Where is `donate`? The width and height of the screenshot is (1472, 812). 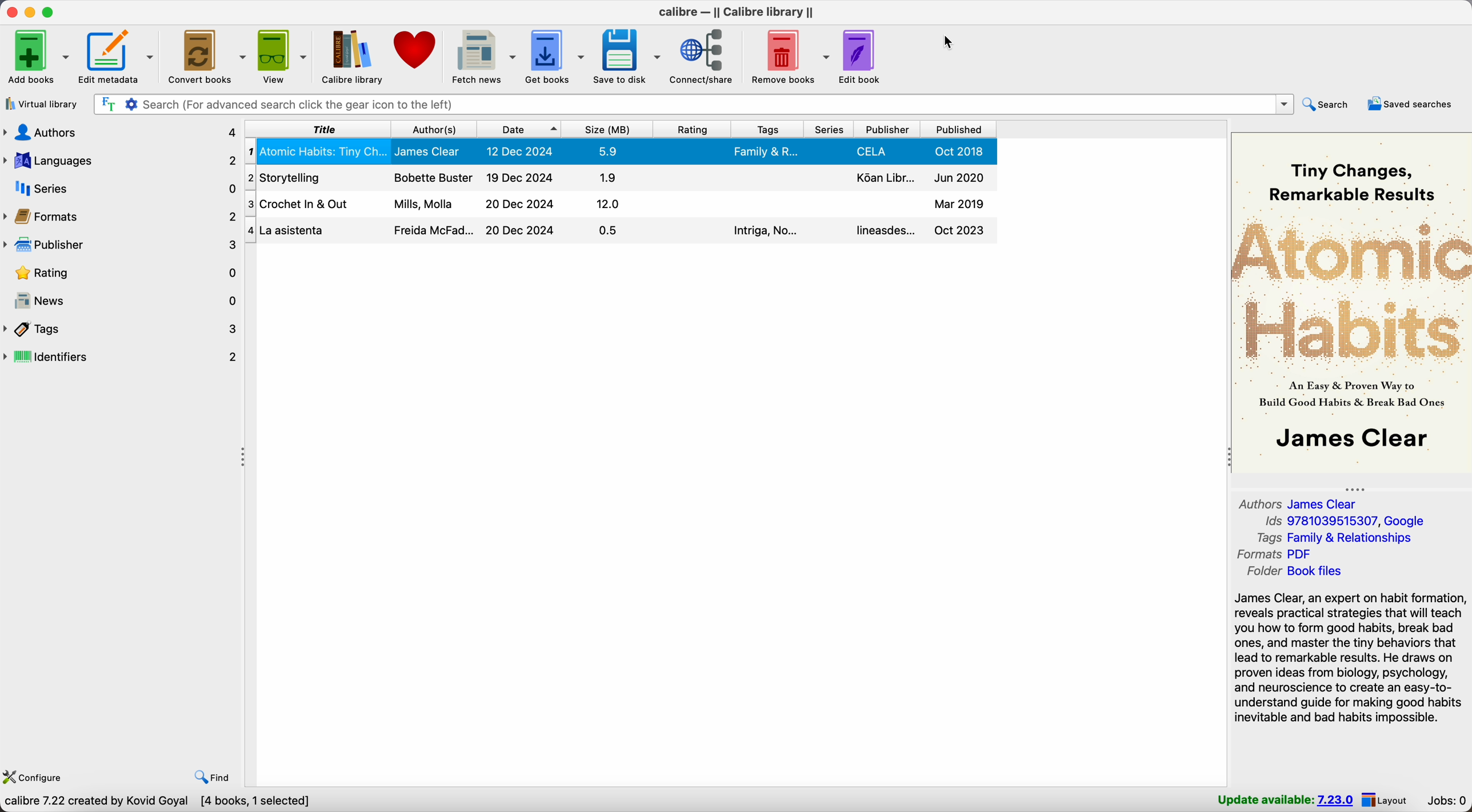 donate is located at coordinates (416, 49).